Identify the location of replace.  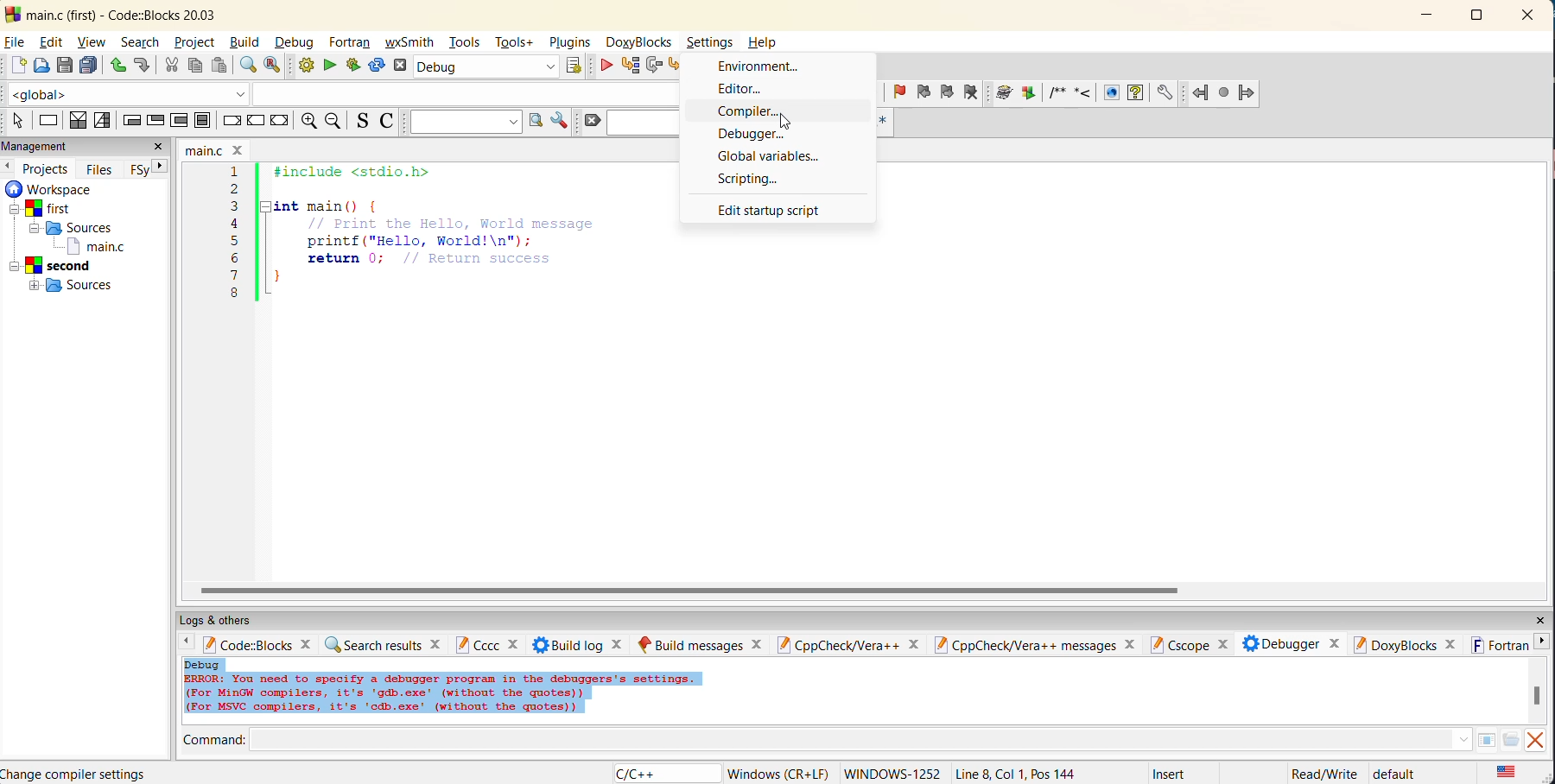
(274, 67).